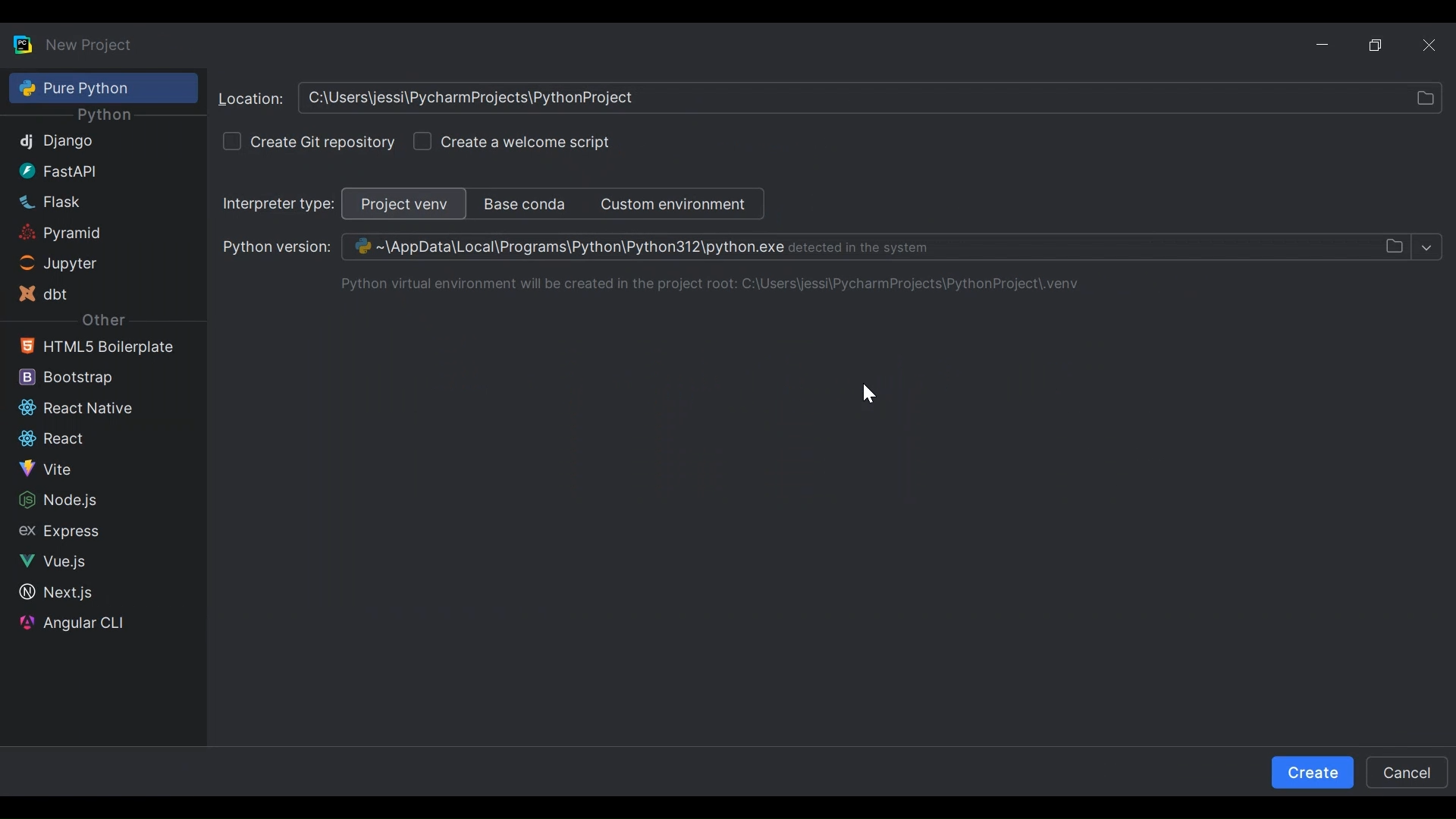 The width and height of the screenshot is (1456, 819). Describe the element at coordinates (96, 295) in the screenshot. I see `dbt` at that location.